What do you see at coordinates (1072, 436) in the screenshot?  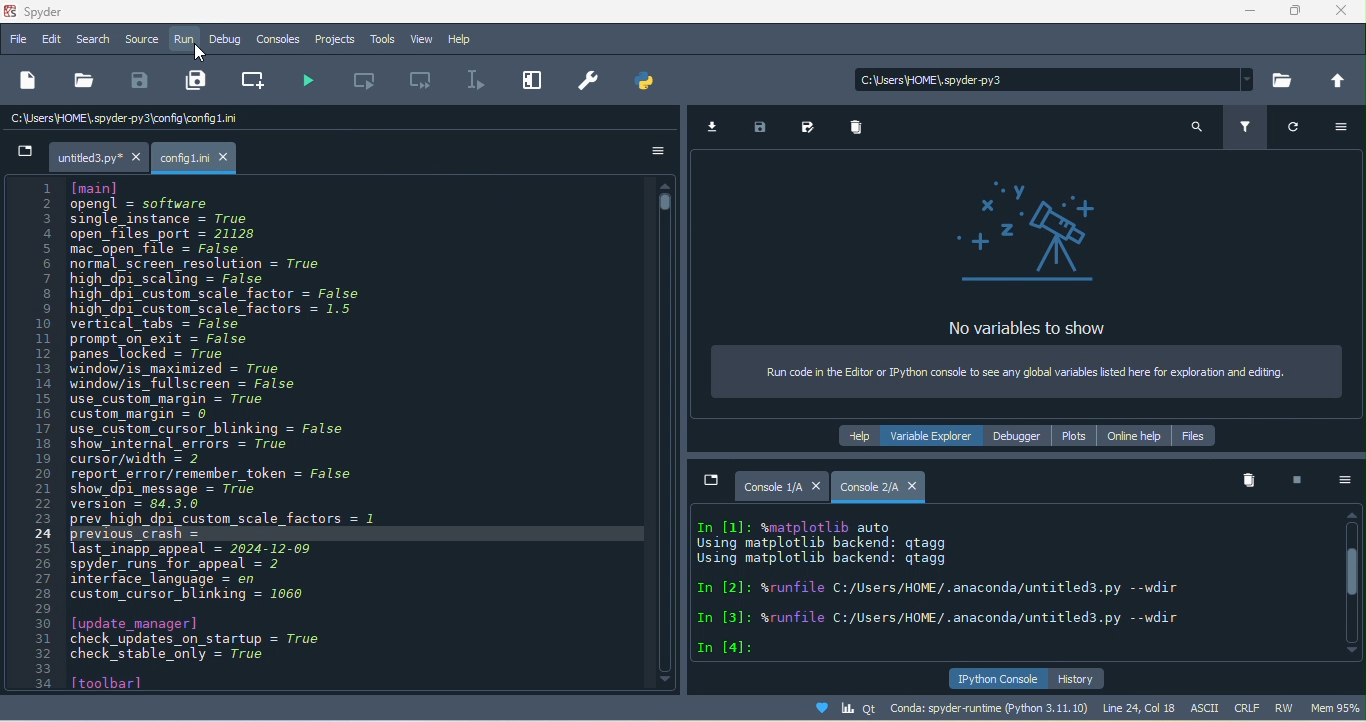 I see `plots` at bounding box center [1072, 436].